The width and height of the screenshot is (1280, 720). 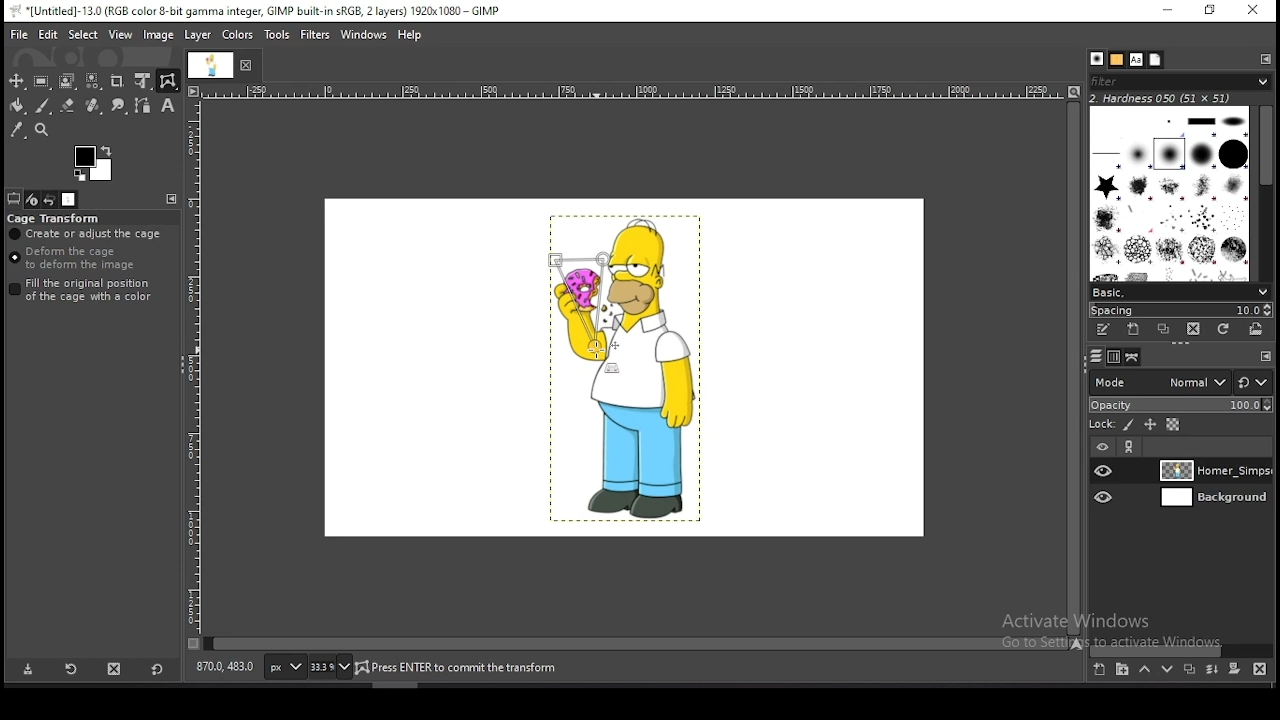 I want to click on layer, so click(x=1211, y=499).